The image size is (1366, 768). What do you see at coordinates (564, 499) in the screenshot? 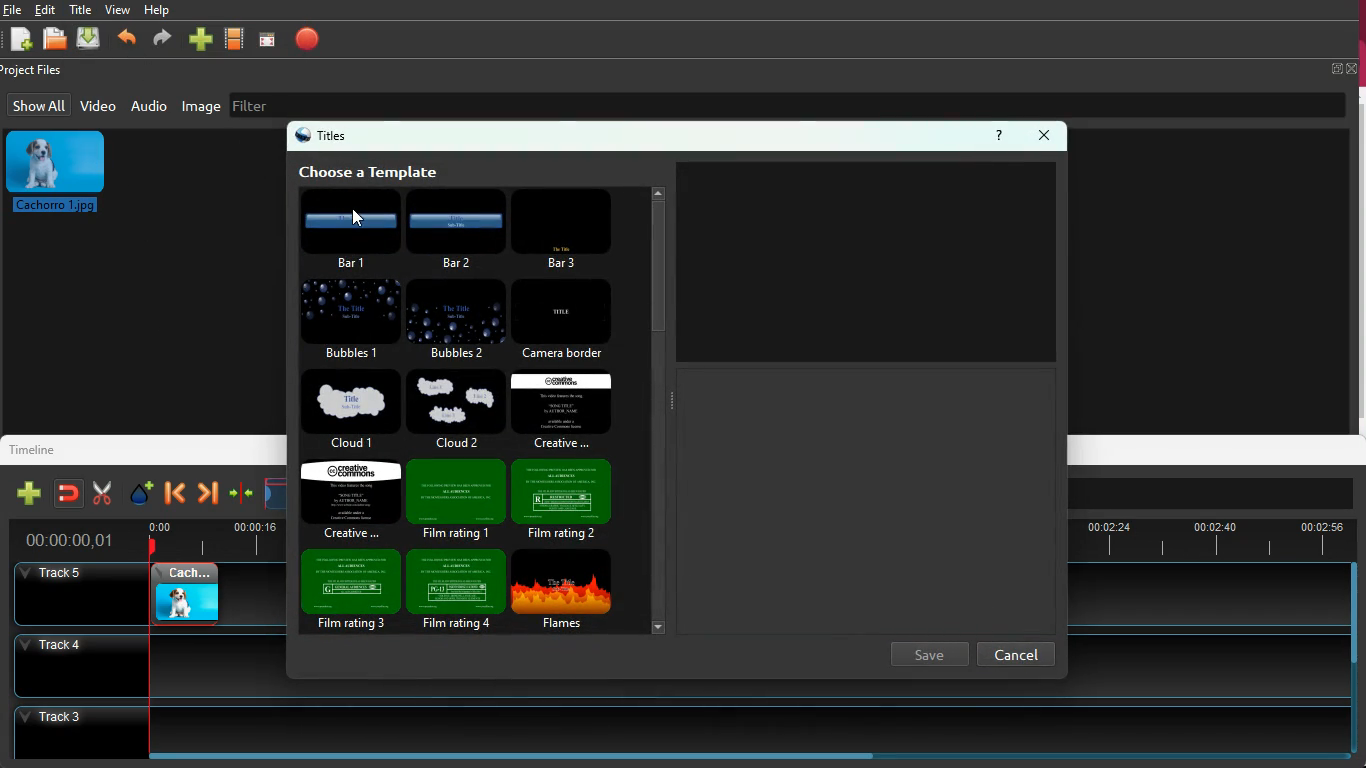
I see `fil rating 2` at bounding box center [564, 499].